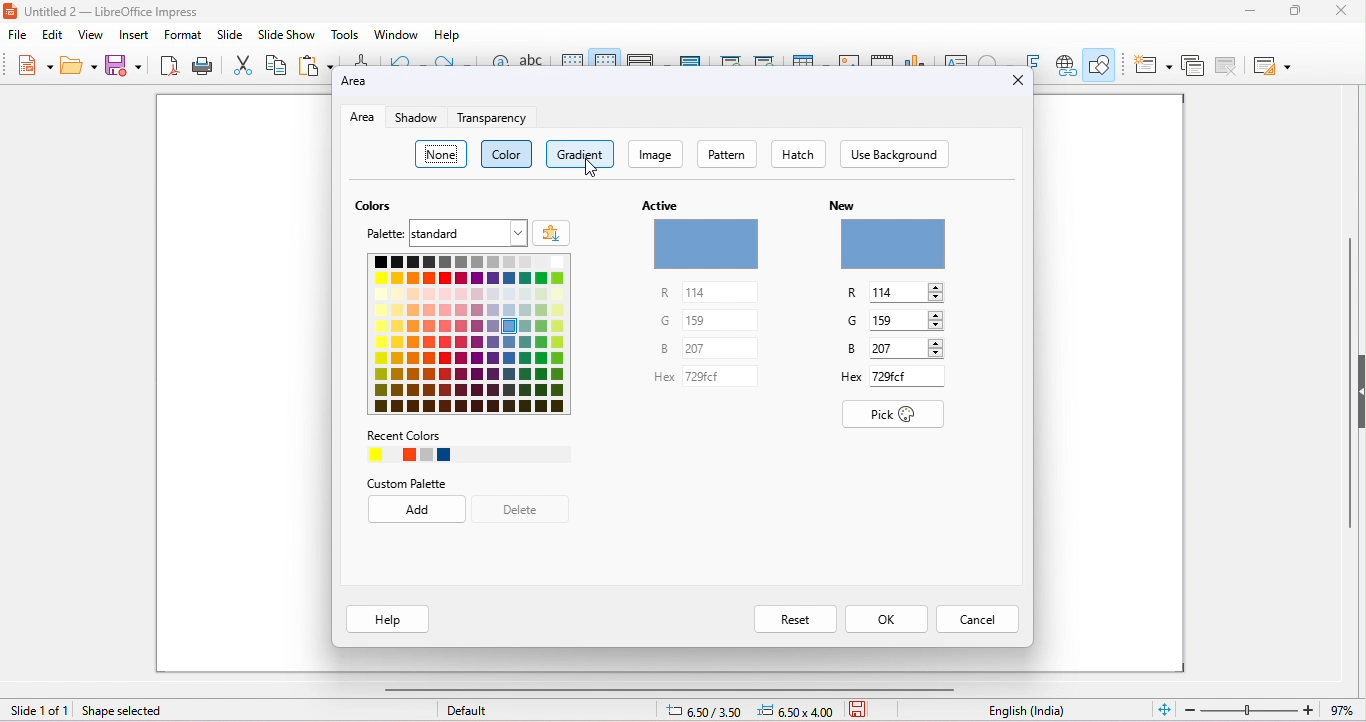  What do you see at coordinates (839, 380) in the screenshot?
I see `hex` at bounding box center [839, 380].